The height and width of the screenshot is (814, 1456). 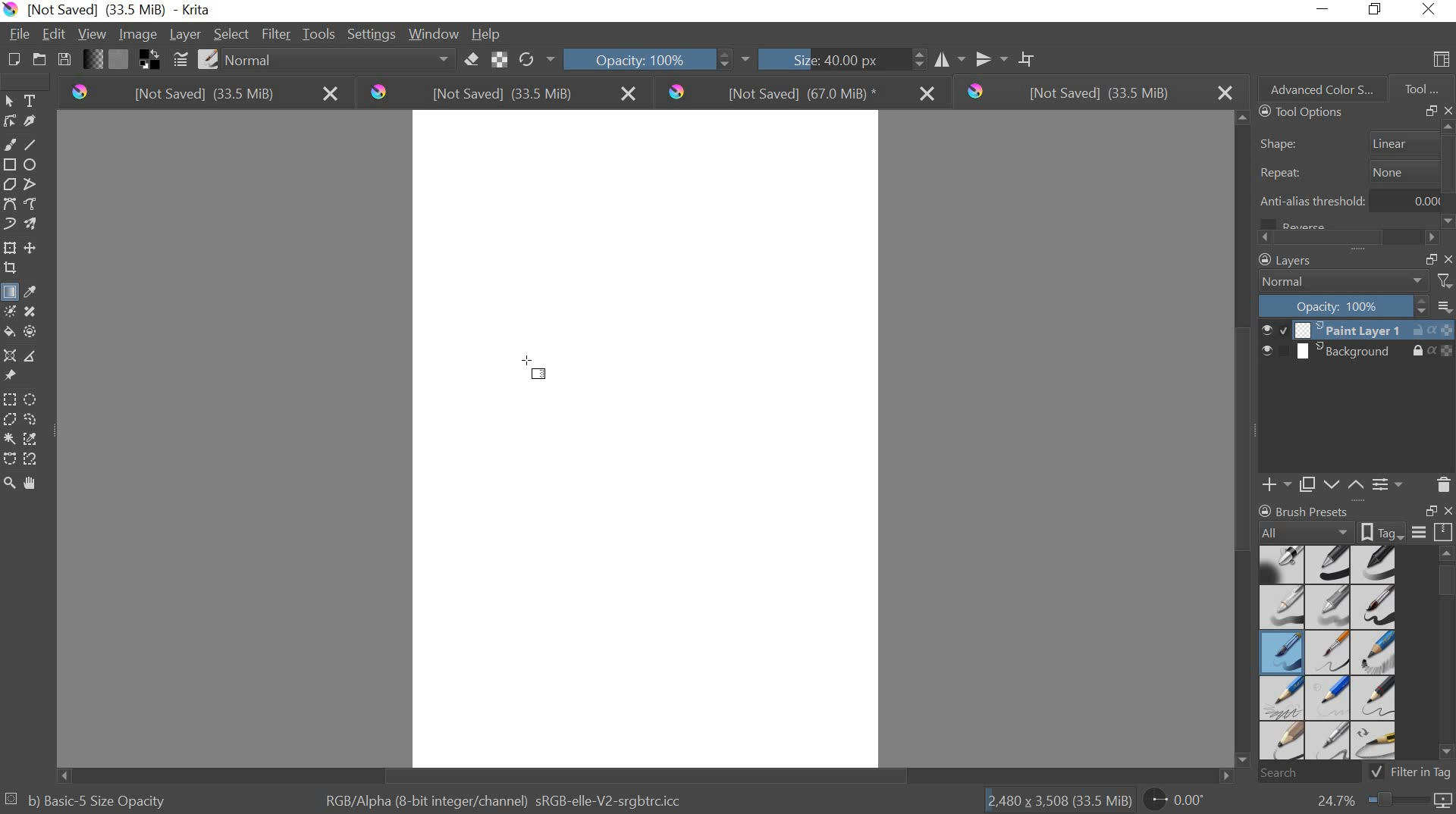 I want to click on b) basic 5 size opacity, so click(x=92, y=799).